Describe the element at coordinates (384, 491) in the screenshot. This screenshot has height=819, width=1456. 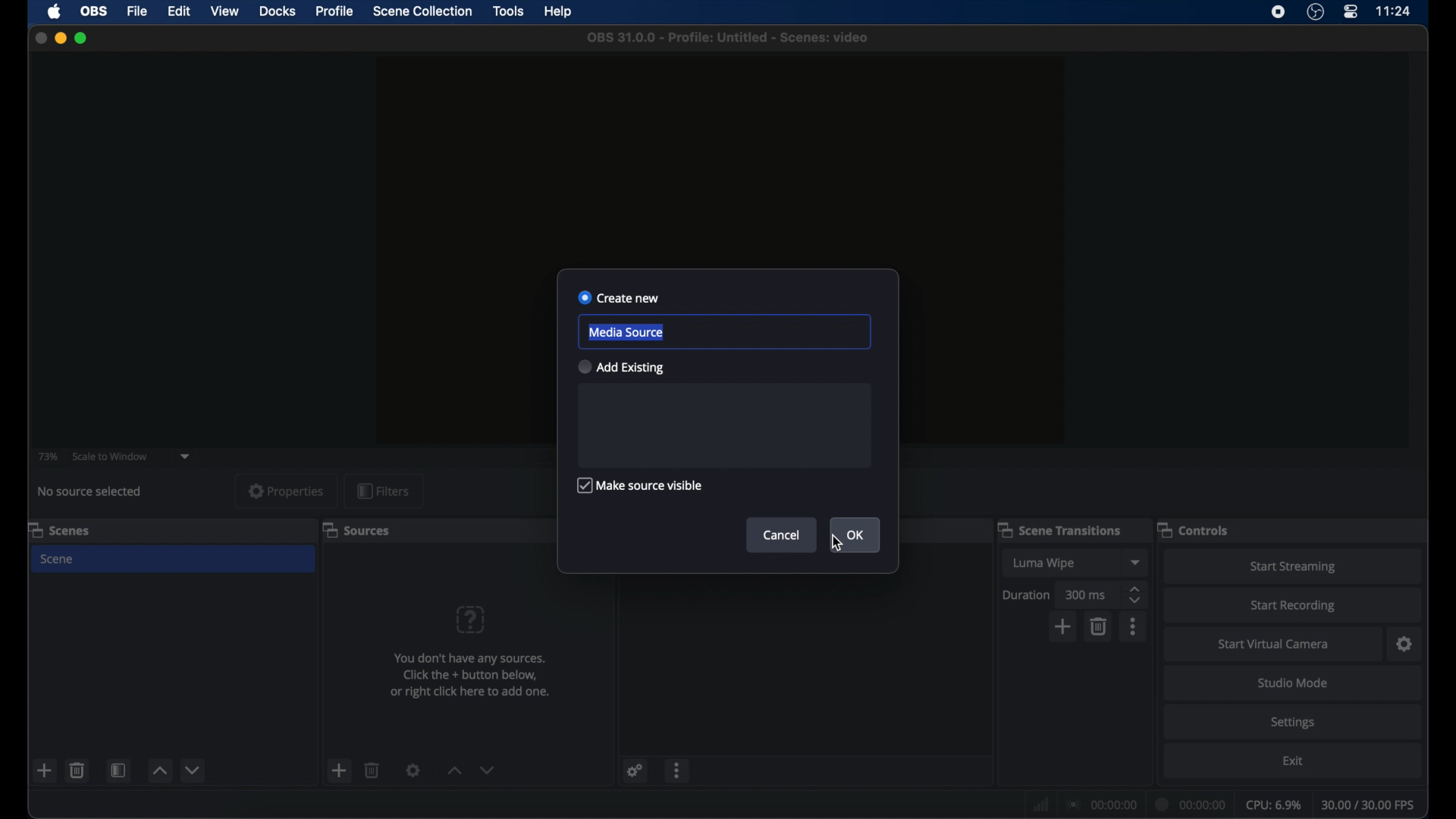
I see `filters` at that location.